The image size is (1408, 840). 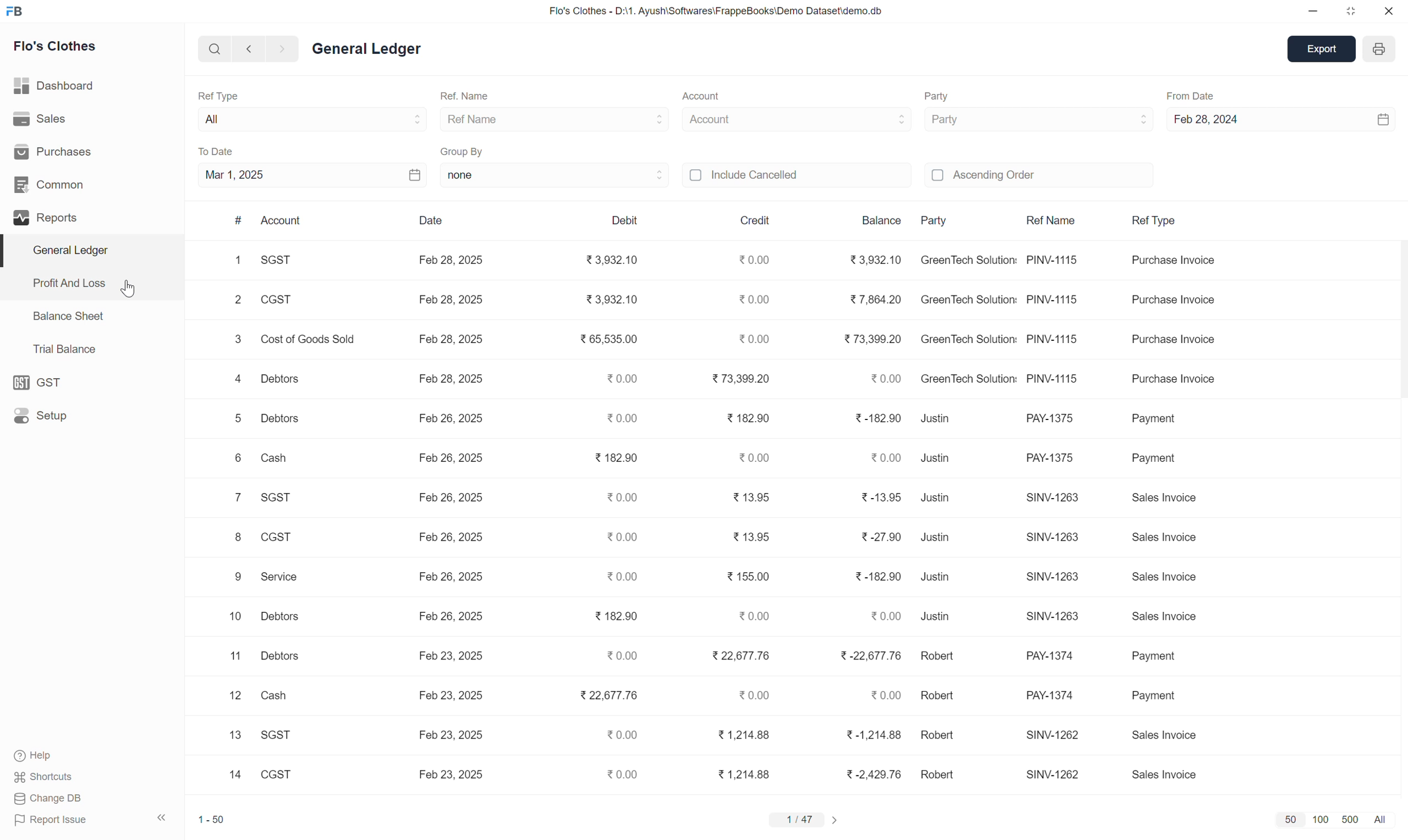 I want to click on ₹-27.90, so click(x=876, y=533).